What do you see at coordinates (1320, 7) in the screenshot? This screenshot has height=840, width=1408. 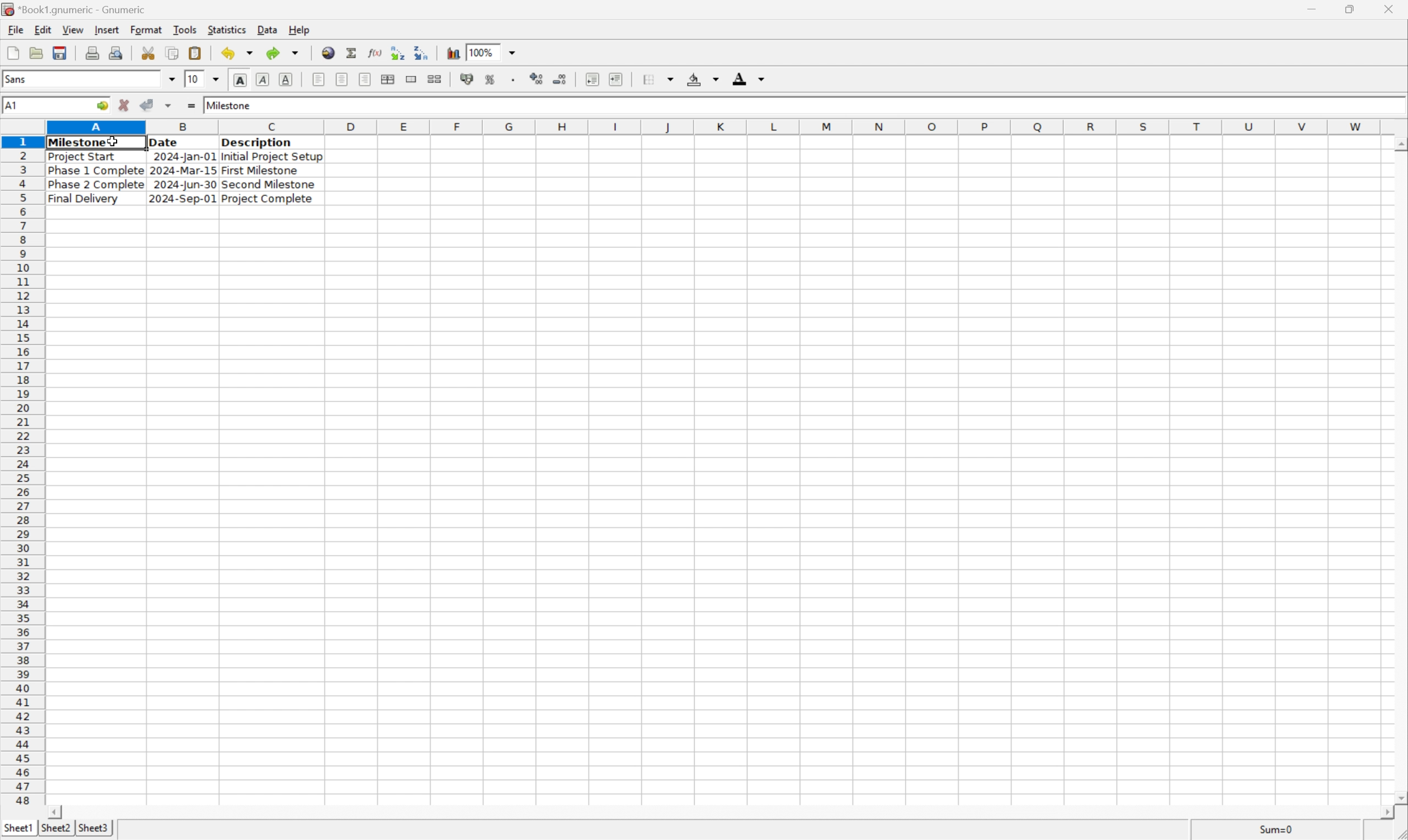 I see `minimize` at bounding box center [1320, 7].